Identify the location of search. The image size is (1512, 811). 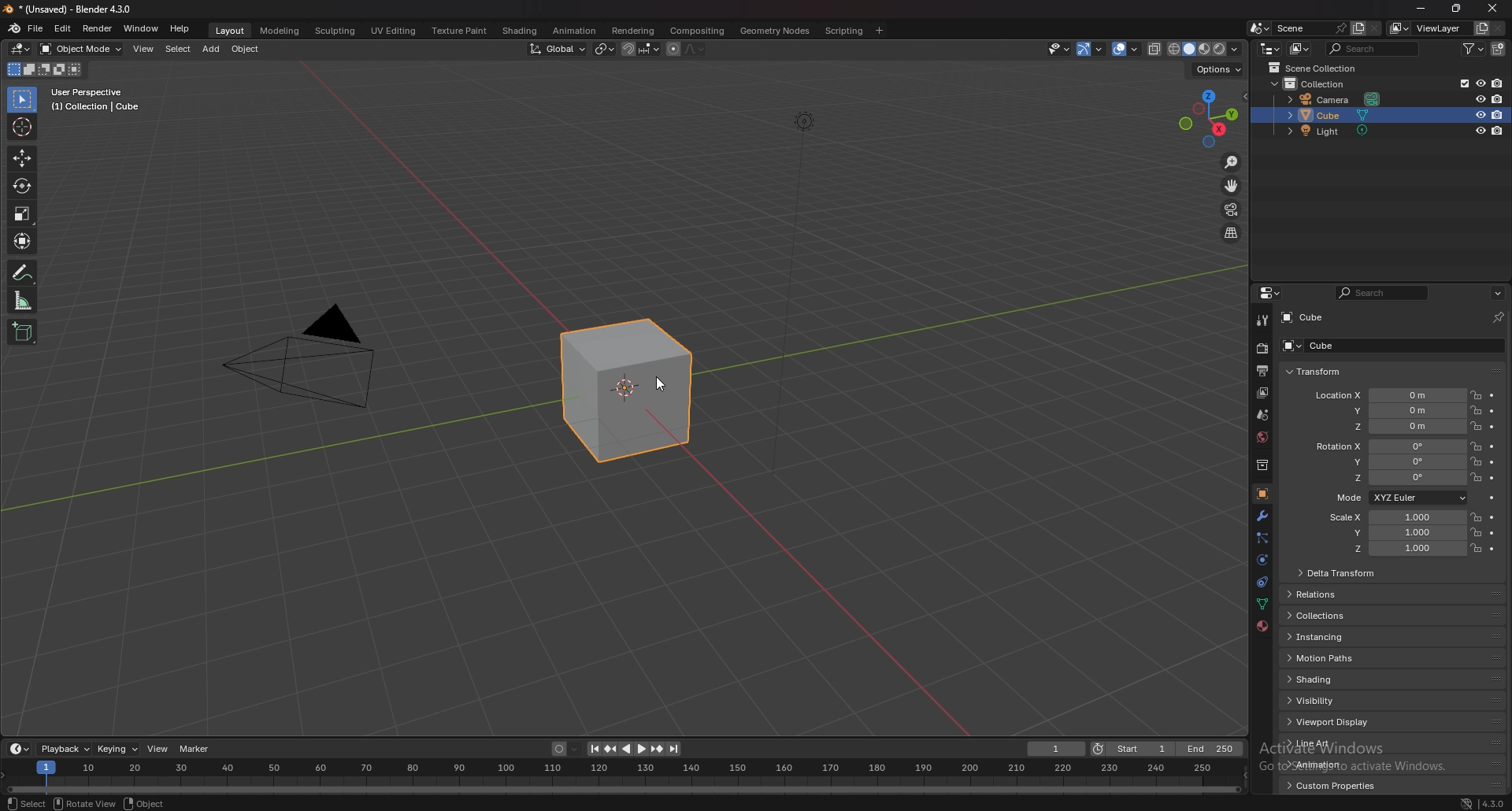
(1380, 293).